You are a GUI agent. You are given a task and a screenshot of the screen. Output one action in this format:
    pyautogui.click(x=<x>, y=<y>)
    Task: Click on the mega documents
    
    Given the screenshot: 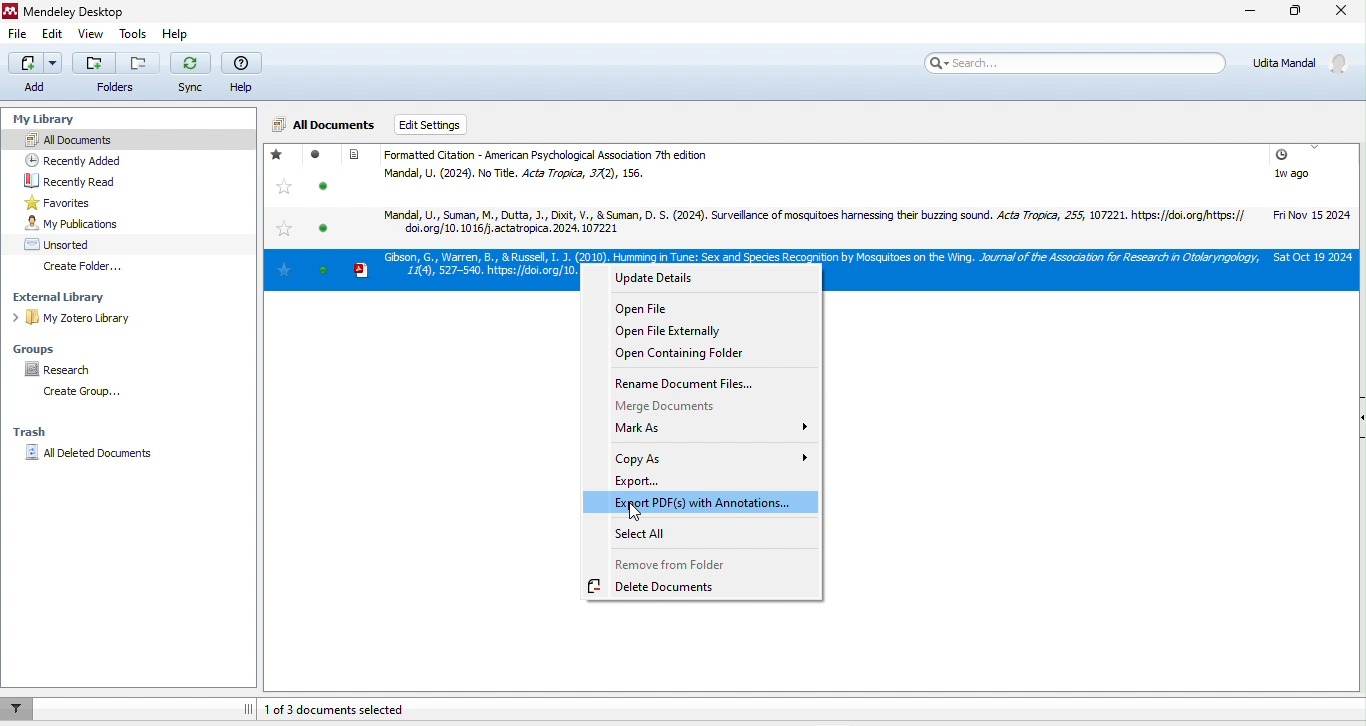 What is the action you would take?
    pyautogui.click(x=685, y=407)
    